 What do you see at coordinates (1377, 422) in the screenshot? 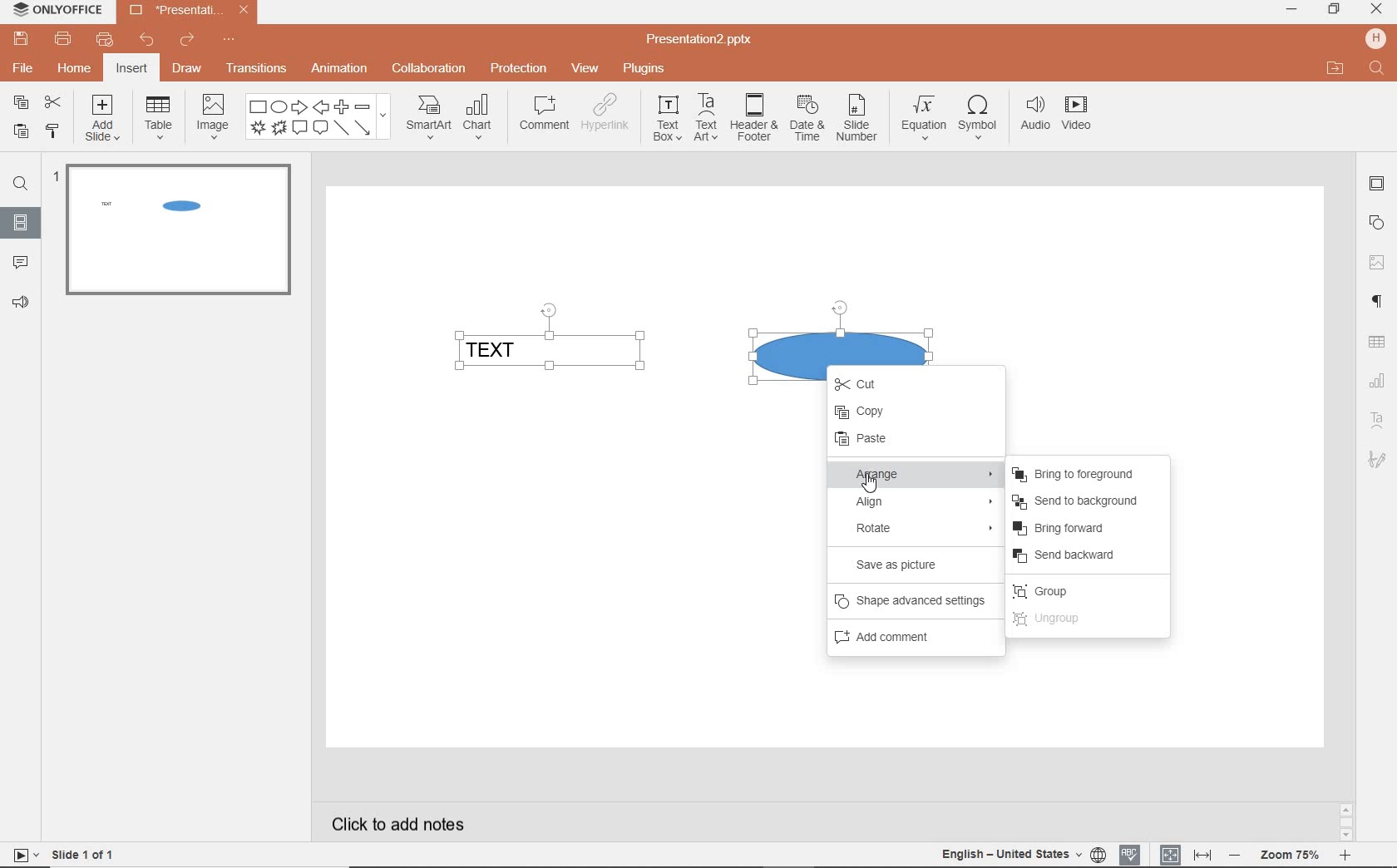
I see `TEXT ART` at bounding box center [1377, 422].